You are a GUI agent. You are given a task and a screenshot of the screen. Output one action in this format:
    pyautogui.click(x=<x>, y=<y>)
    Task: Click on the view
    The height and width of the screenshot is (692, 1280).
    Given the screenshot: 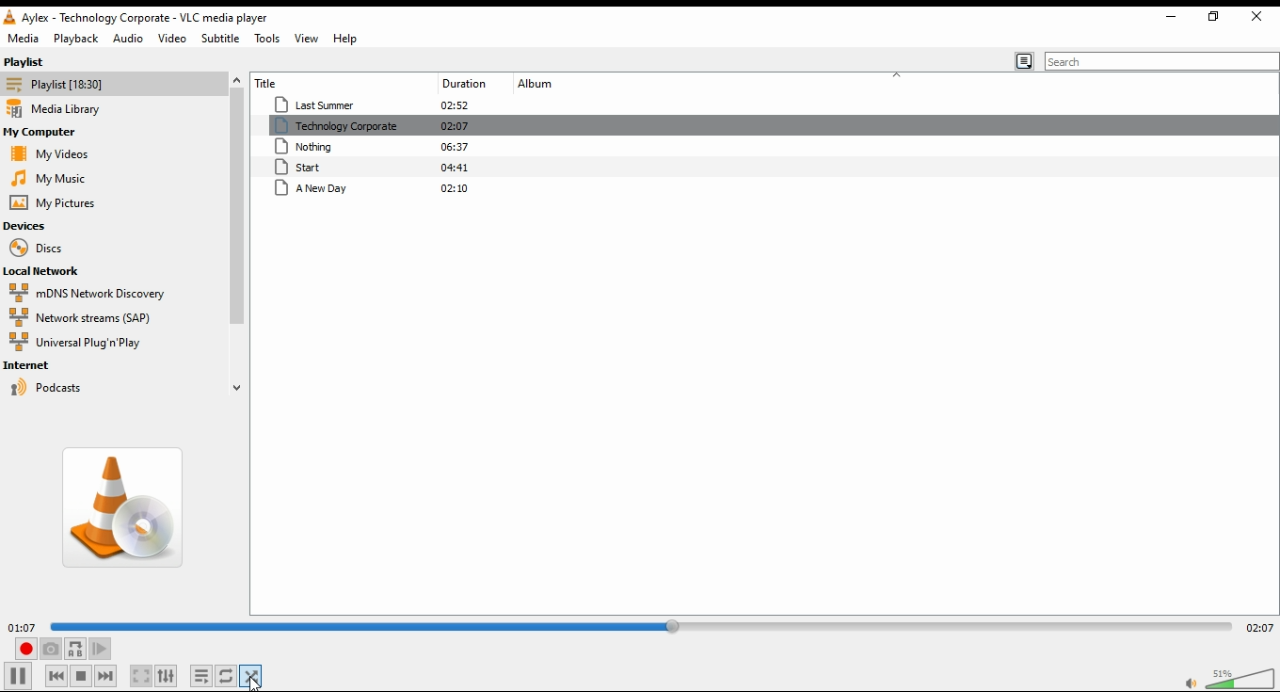 What is the action you would take?
    pyautogui.click(x=308, y=39)
    